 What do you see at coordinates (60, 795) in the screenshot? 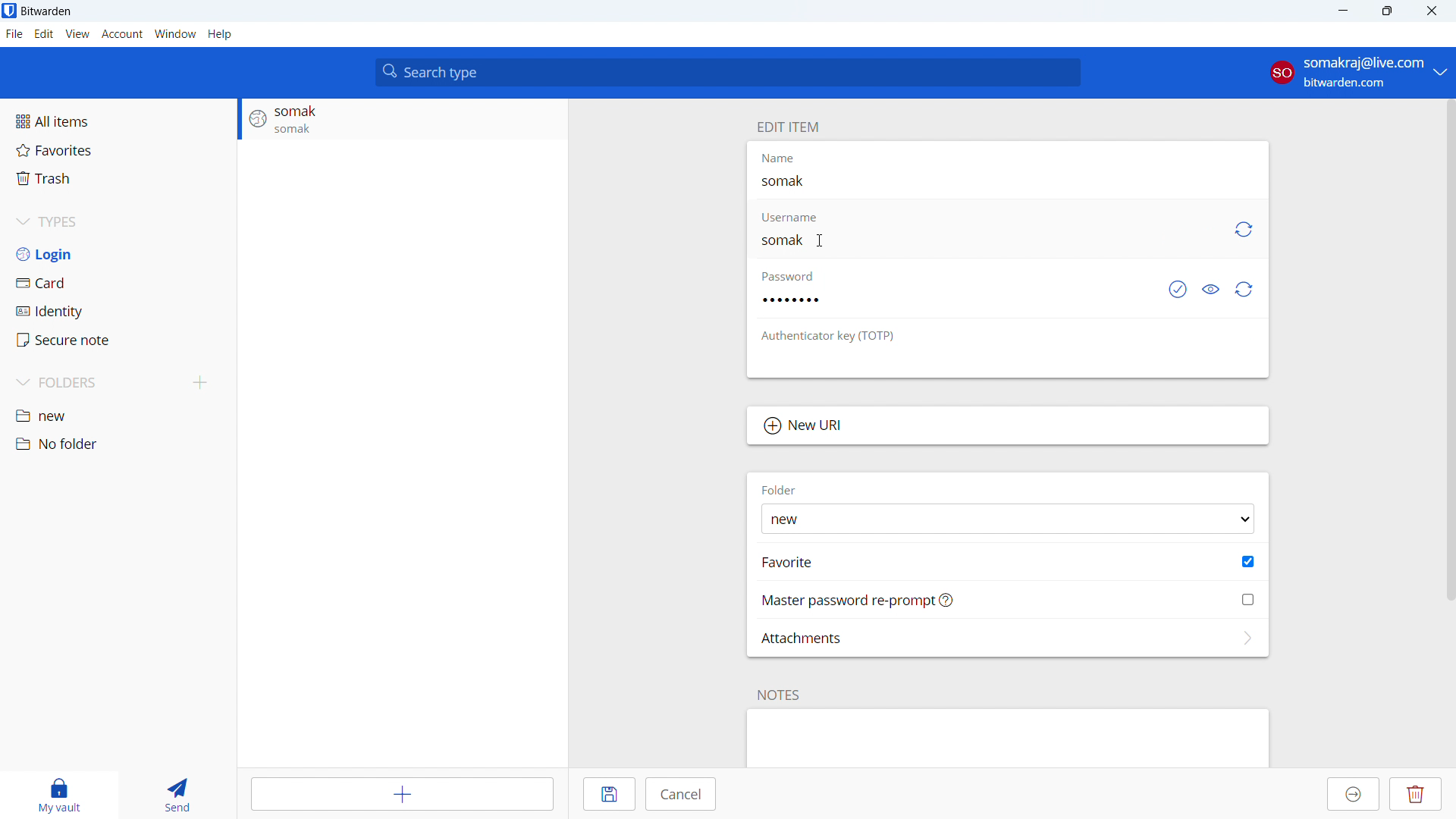
I see `my vault` at bounding box center [60, 795].